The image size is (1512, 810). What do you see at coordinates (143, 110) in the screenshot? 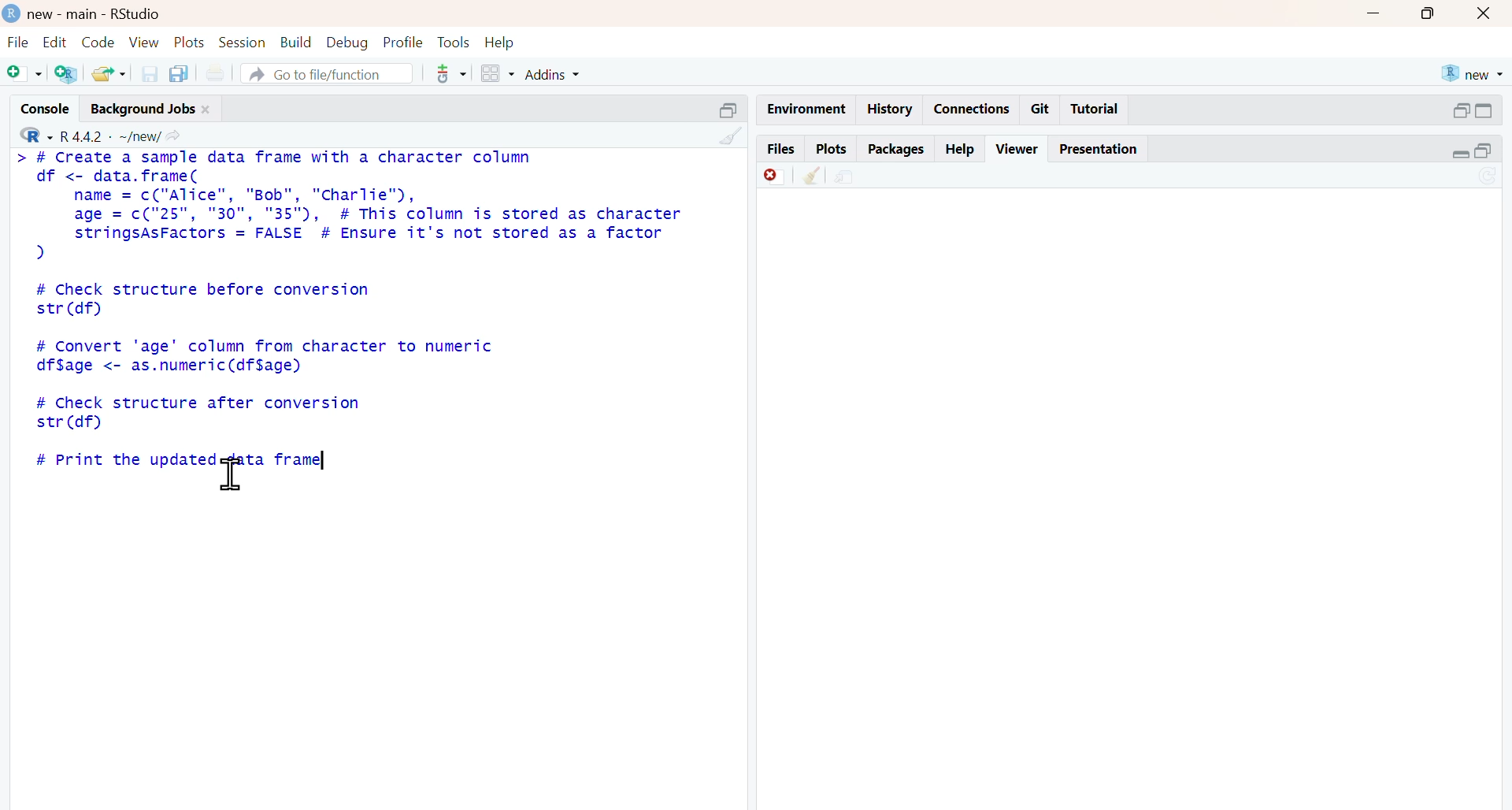
I see `background jobs` at bounding box center [143, 110].